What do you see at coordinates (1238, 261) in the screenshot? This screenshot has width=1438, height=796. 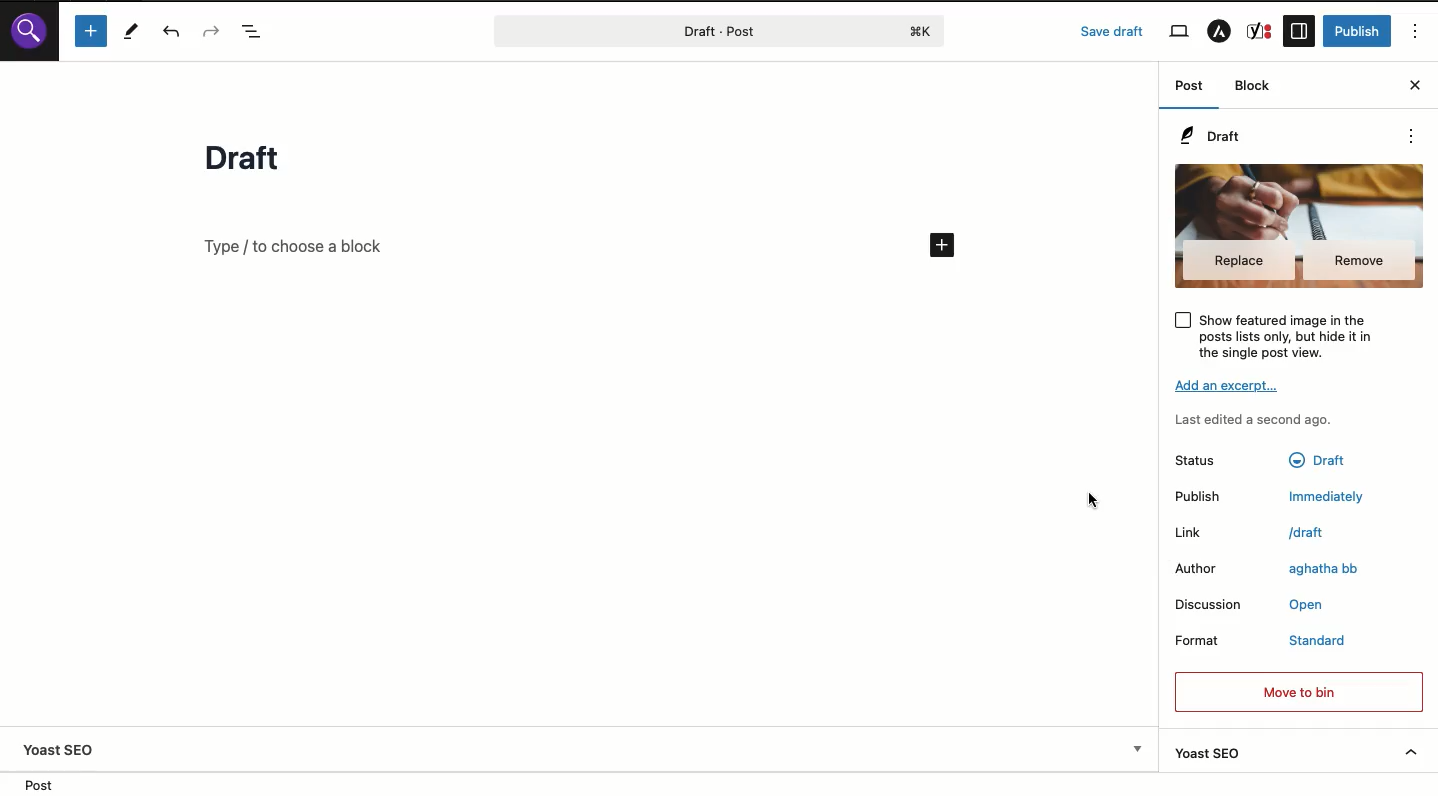 I see `Replace ` at bounding box center [1238, 261].